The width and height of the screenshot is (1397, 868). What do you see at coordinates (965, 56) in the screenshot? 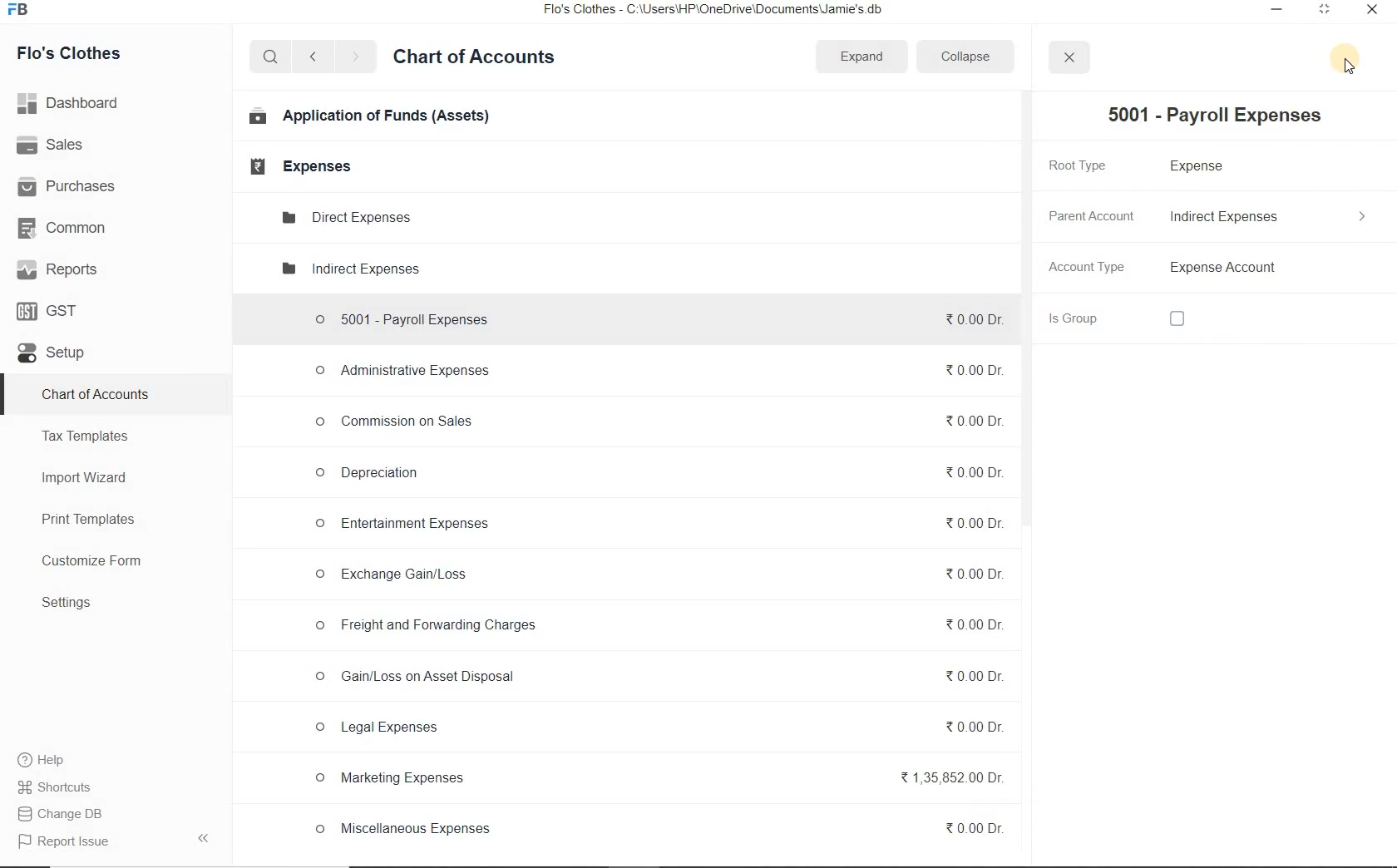
I see `Collapse` at bounding box center [965, 56].